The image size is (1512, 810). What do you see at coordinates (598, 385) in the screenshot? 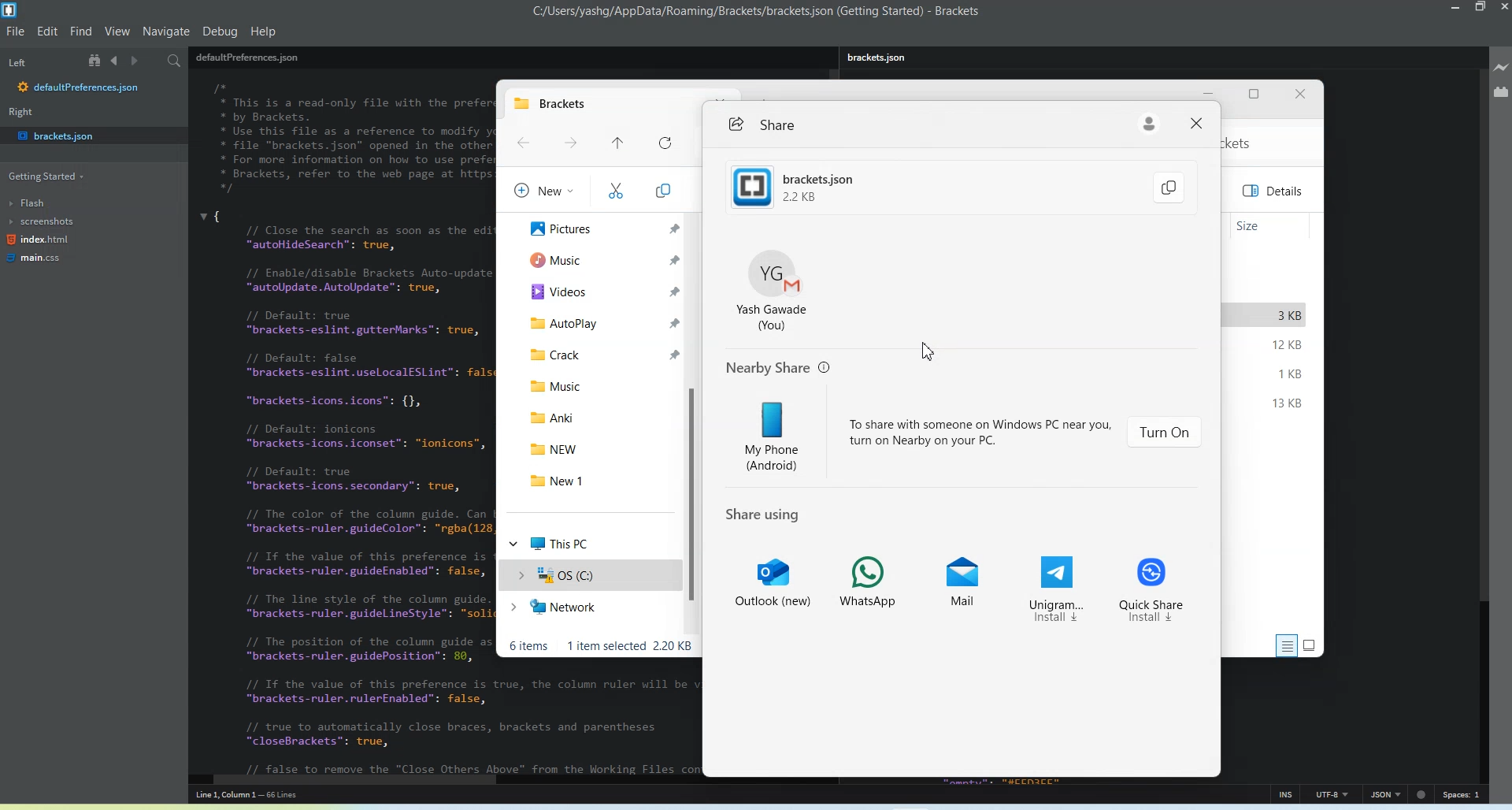
I see `Music` at bounding box center [598, 385].